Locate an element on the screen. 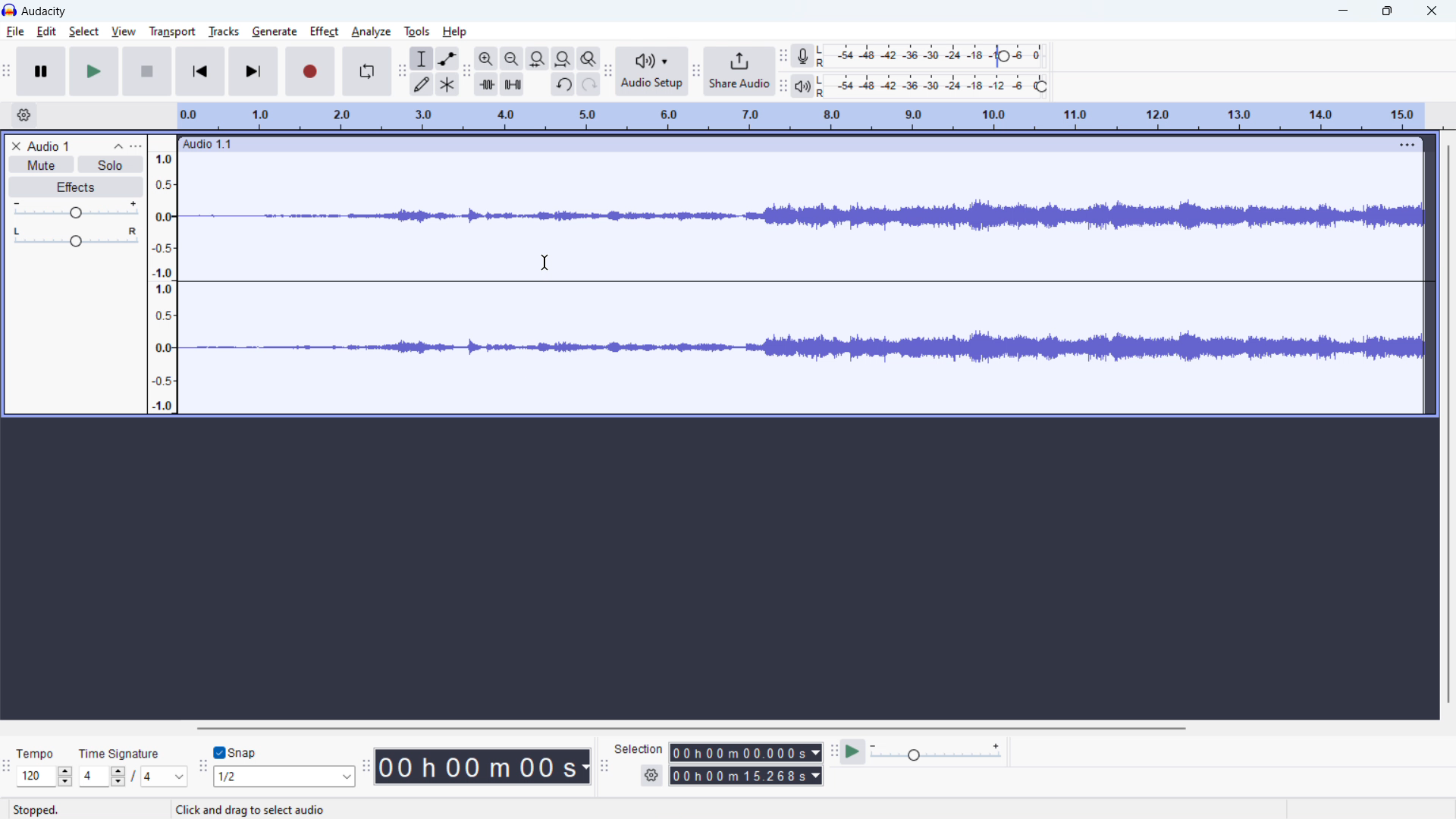  tools toolbar is located at coordinates (402, 71).